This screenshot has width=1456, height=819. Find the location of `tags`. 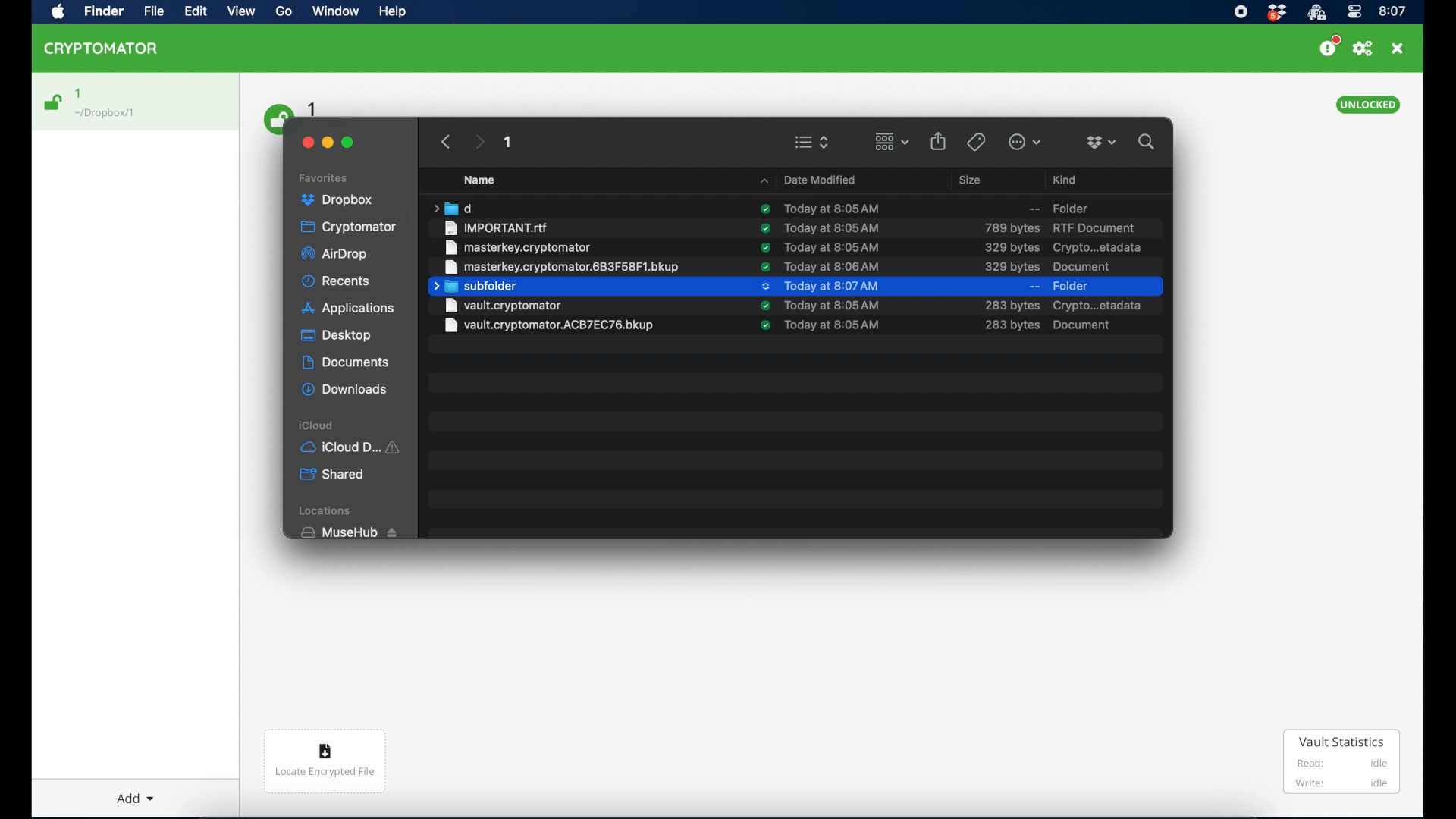

tags is located at coordinates (975, 141).